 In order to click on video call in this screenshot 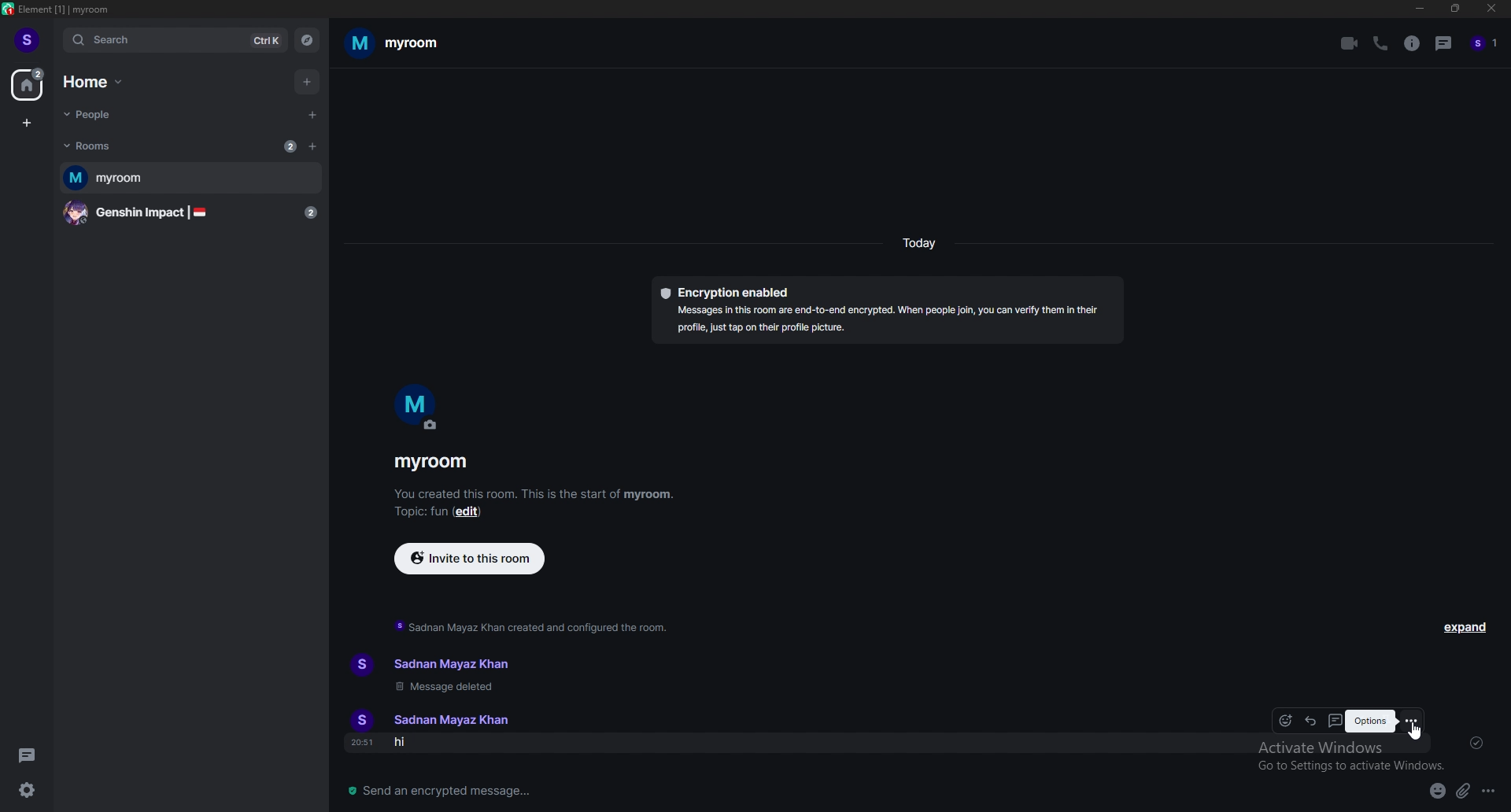, I will do `click(1350, 43)`.